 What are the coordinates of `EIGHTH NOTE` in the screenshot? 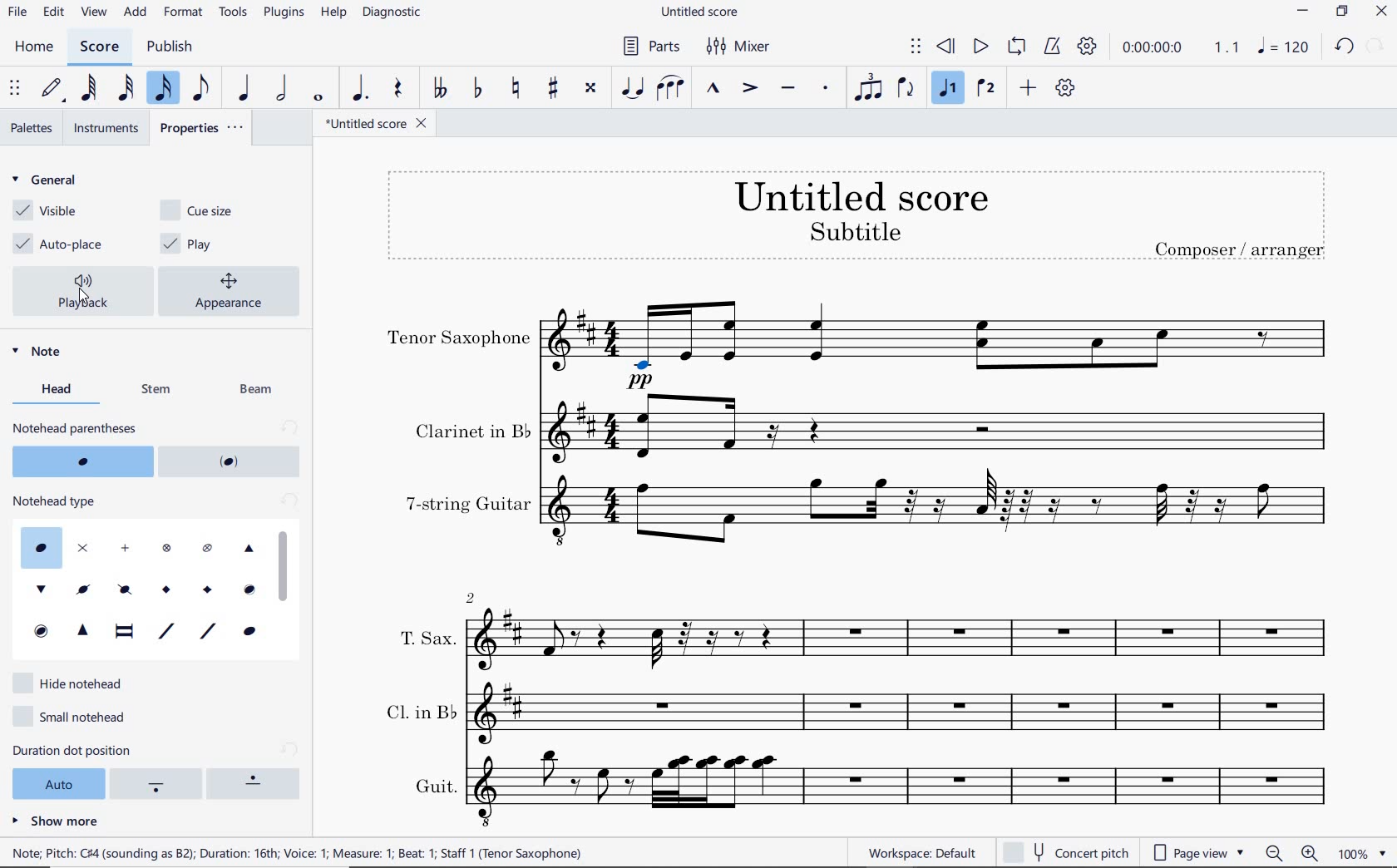 It's located at (204, 91).